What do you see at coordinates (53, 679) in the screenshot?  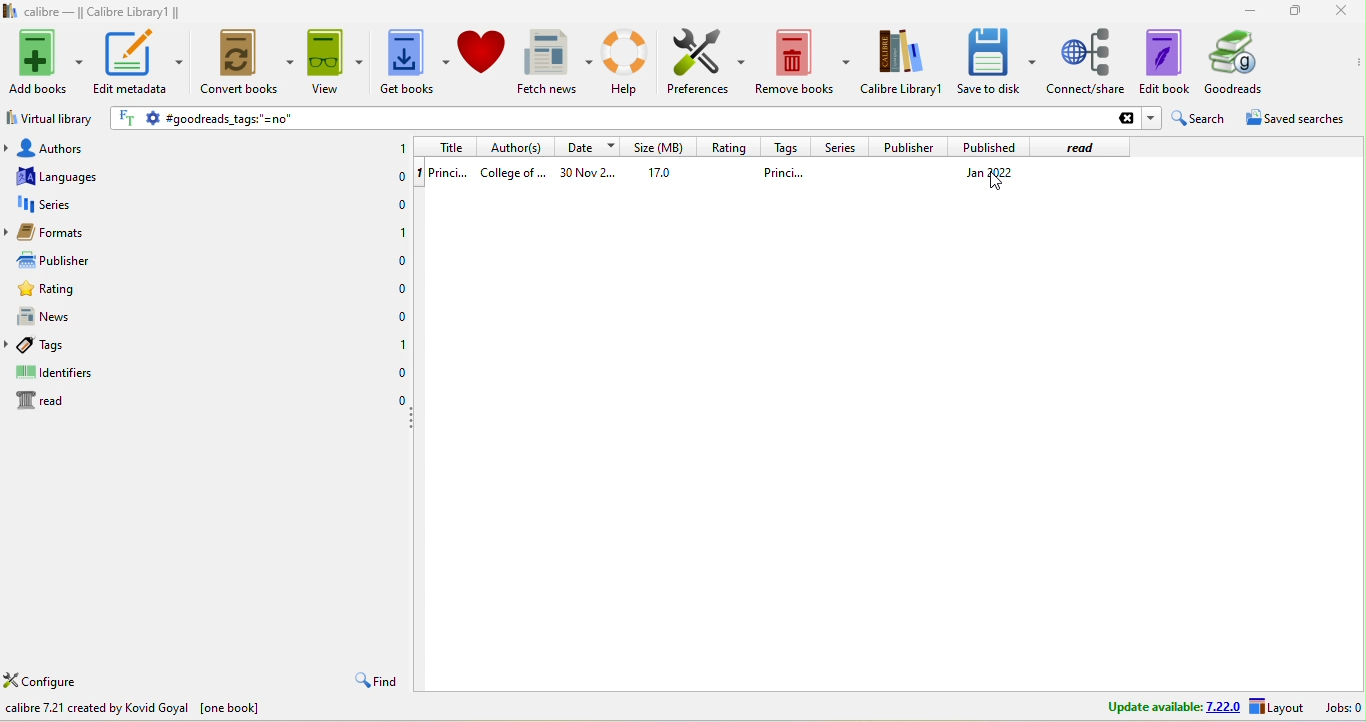 I see `configure` at bounding box center [53, 679].